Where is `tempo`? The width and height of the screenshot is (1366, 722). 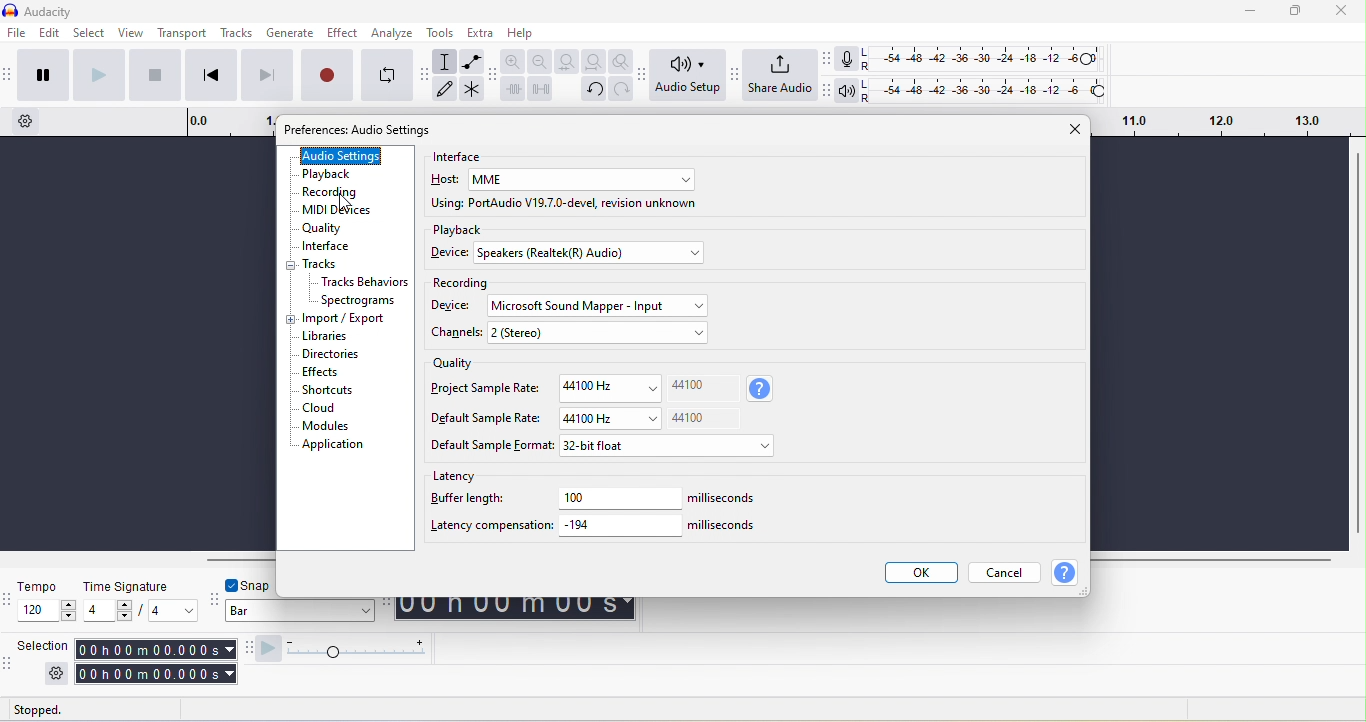
tempo is located at coordinates (49, 603).